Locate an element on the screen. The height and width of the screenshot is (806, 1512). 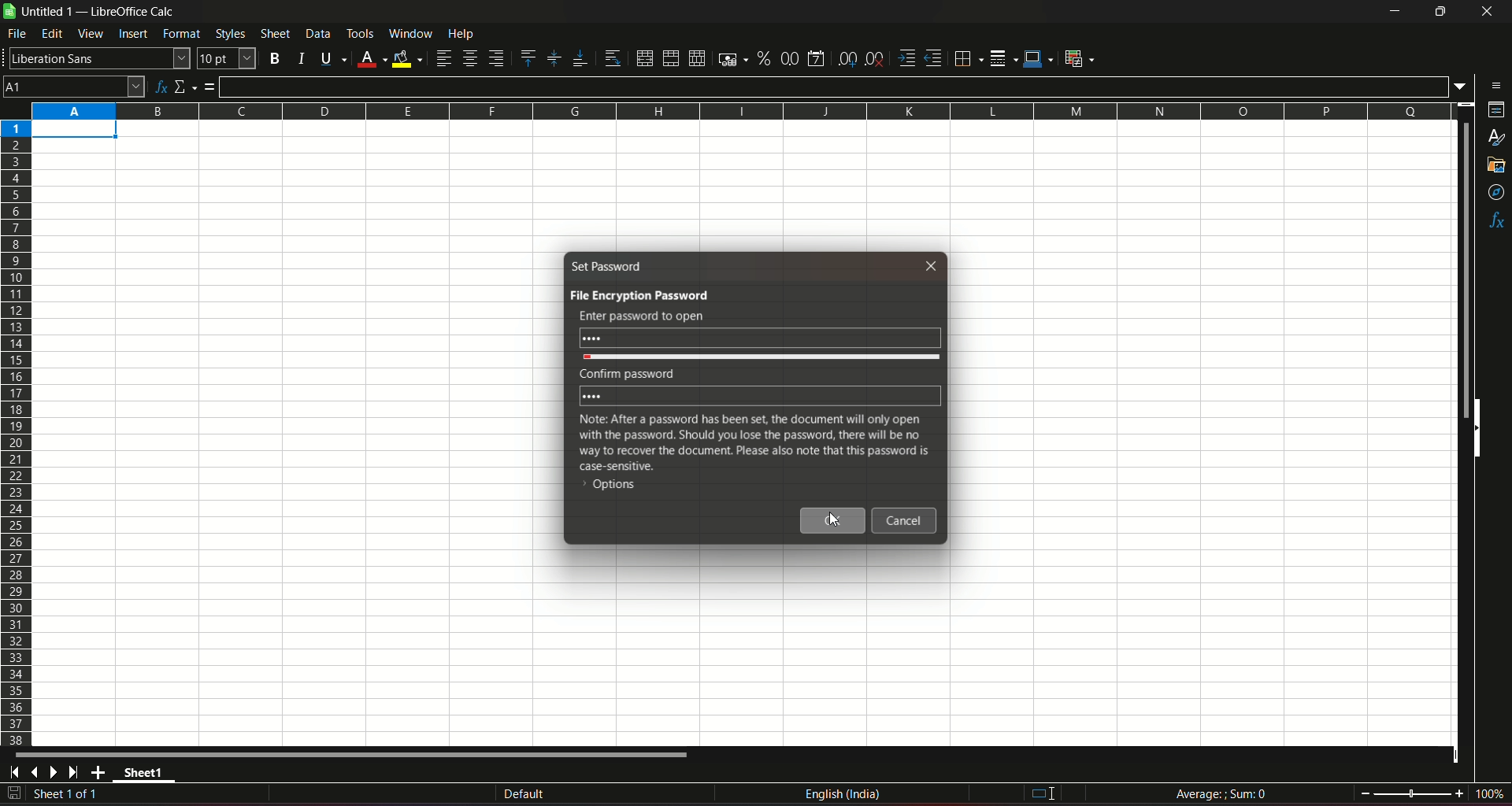
OK is located at coordinates (834, 521).